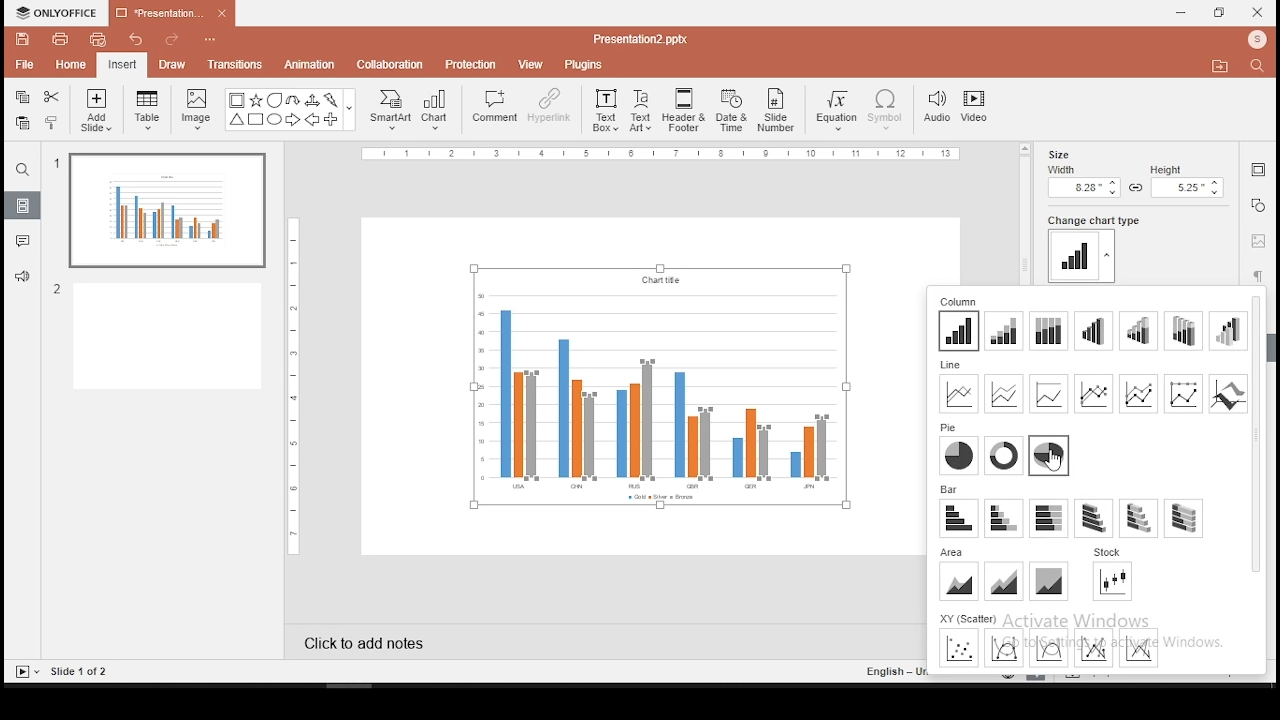 The height and width of the screenshot is (720, 1280). Describe the element at coordinates (1090, 220) in the screenshot. I see `Change chart type` at that location.